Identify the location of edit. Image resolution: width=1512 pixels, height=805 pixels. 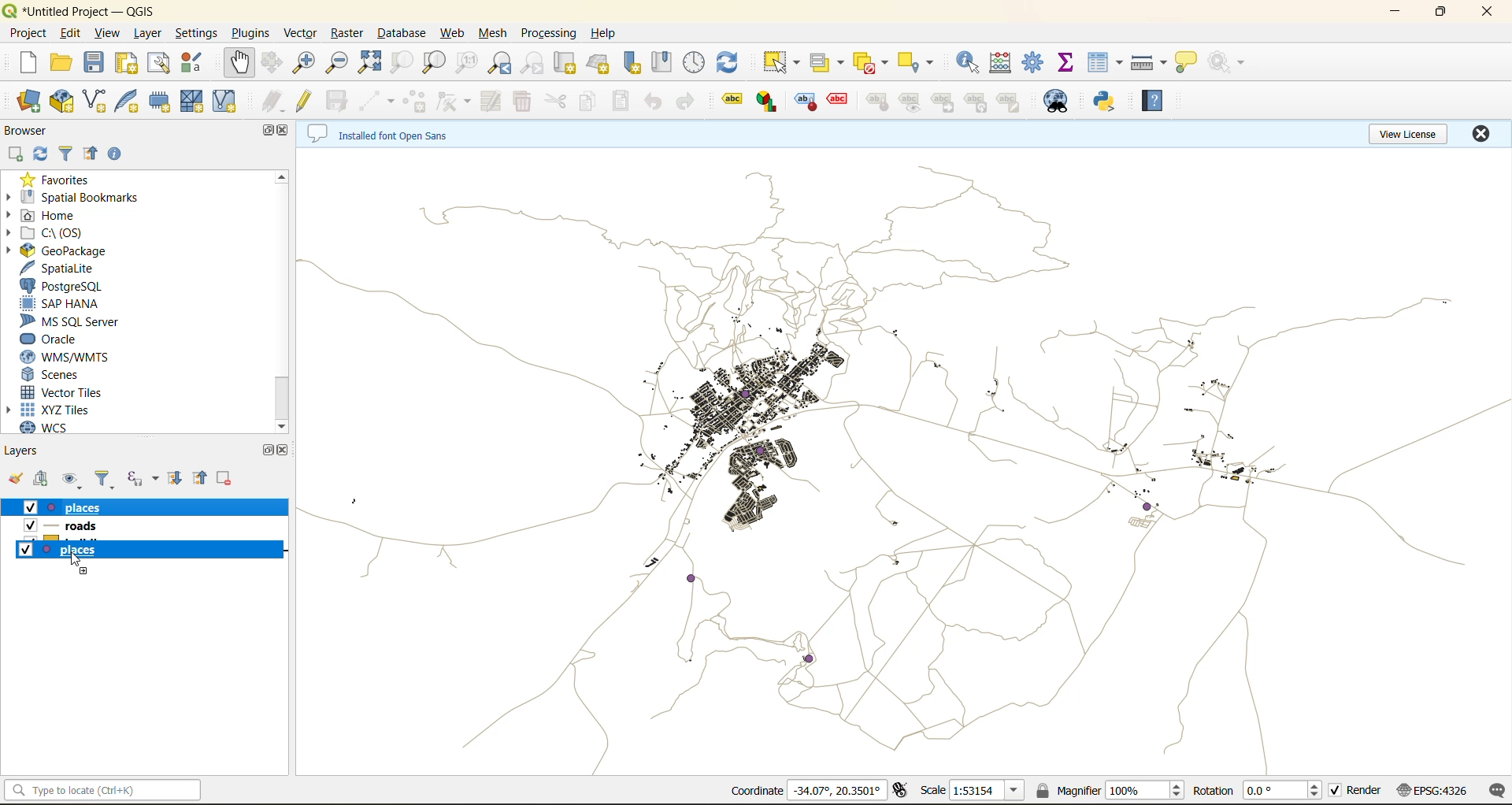
(73, 35).